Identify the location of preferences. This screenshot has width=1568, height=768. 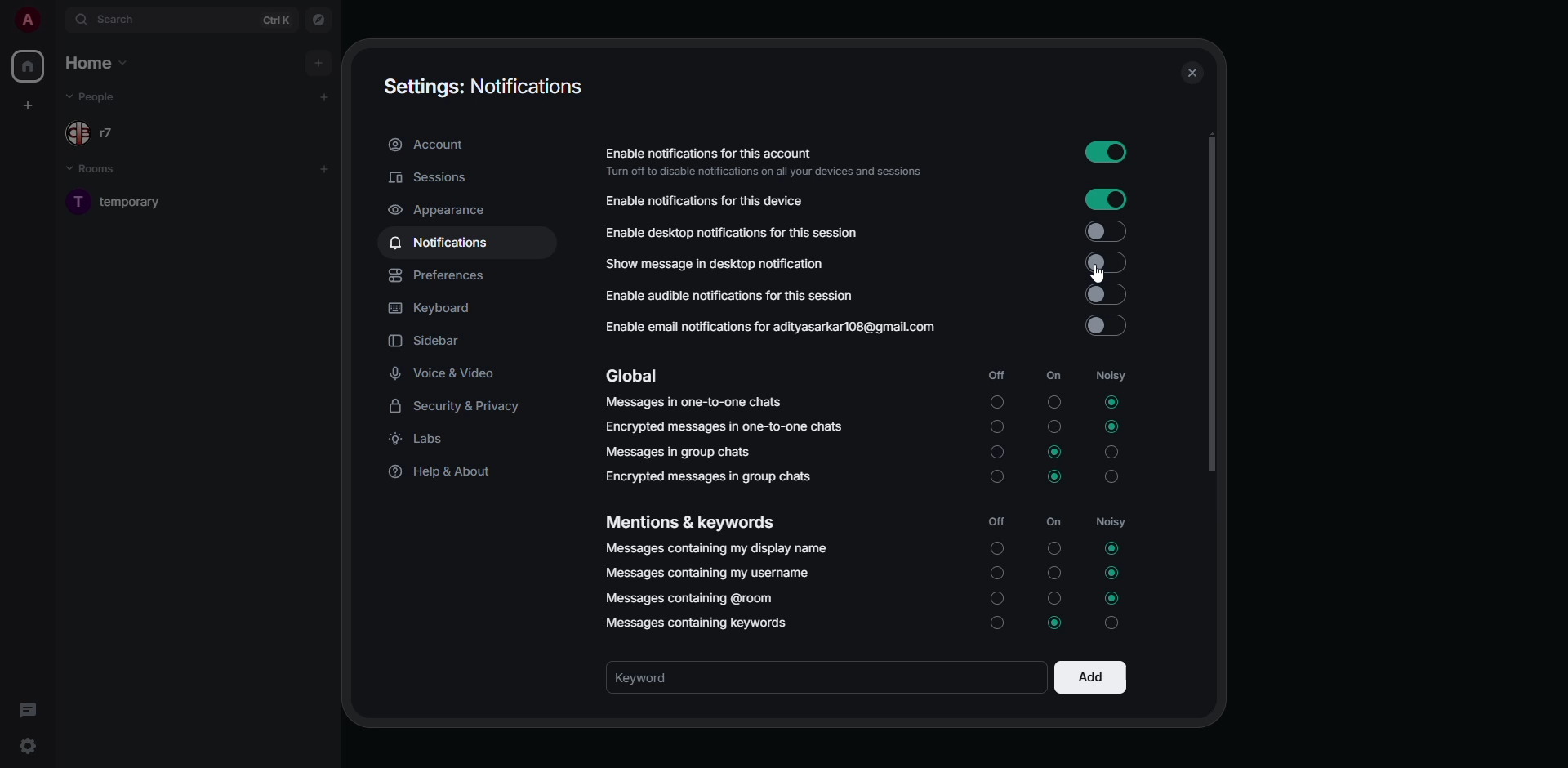
(442, 276).